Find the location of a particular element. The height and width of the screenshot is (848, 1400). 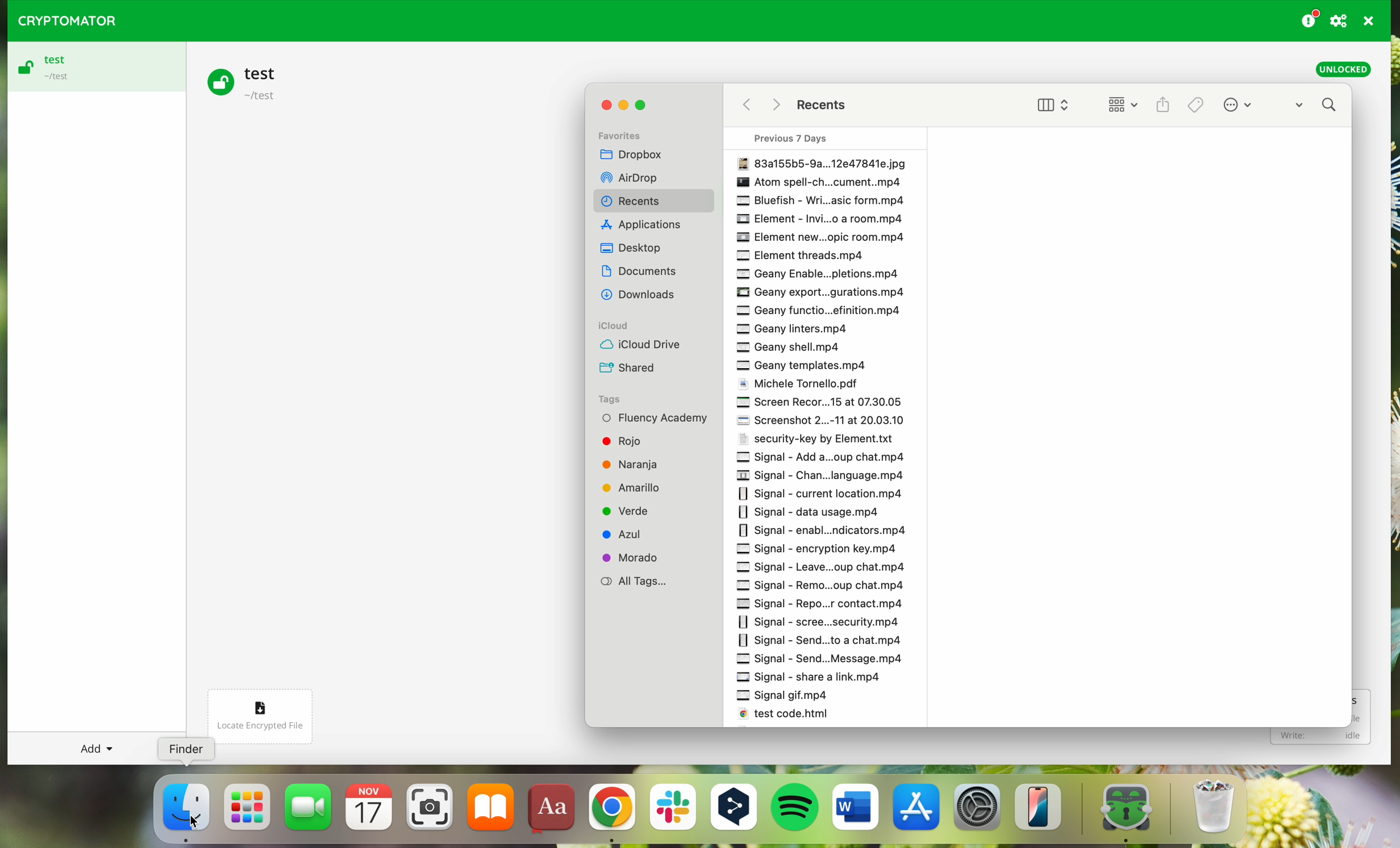

Azul is located at coordinates (631, 534).